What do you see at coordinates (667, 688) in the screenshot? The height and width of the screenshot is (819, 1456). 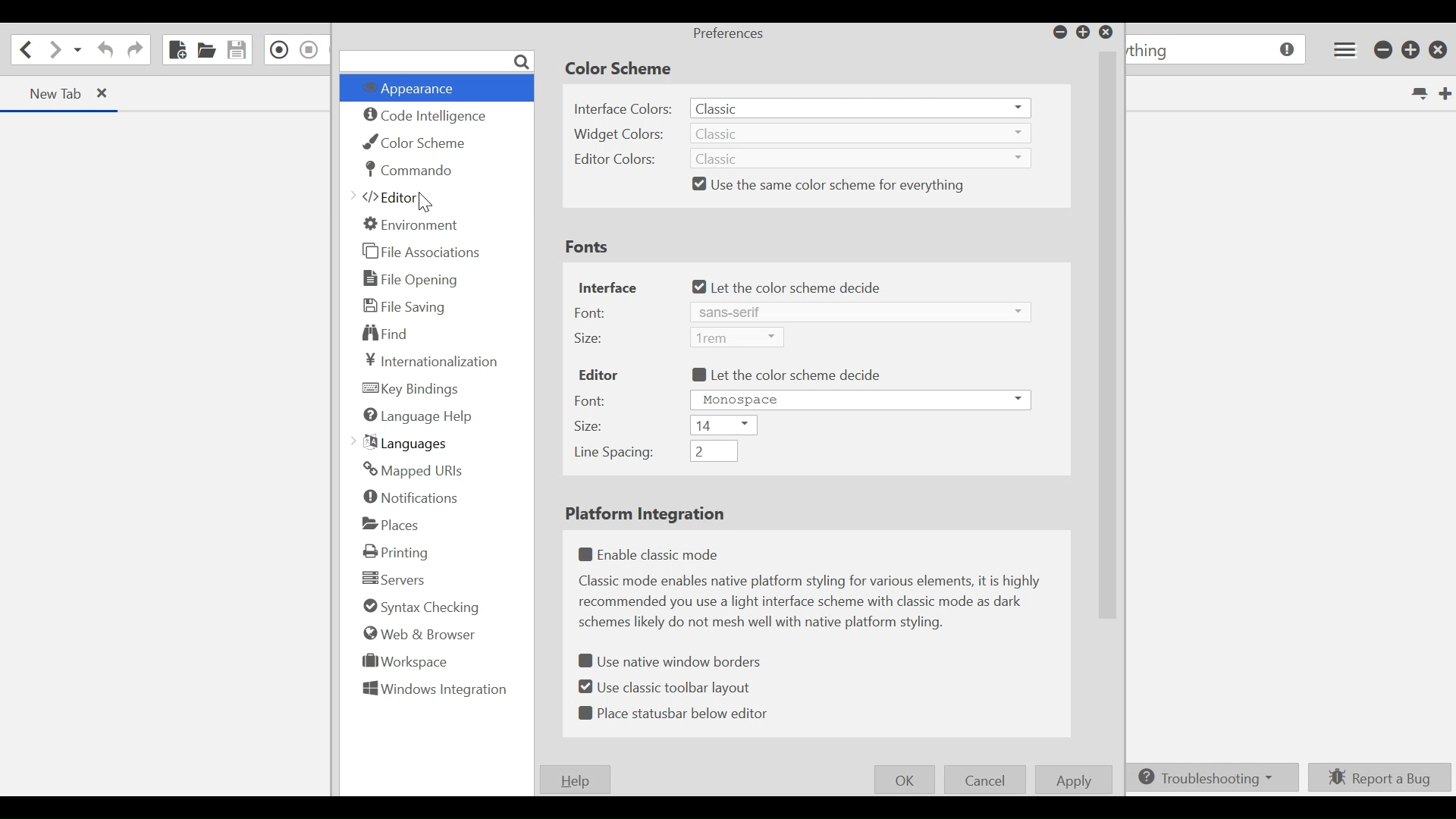 I see `Use classic toolbar layout` at bounding box center [667, 688].